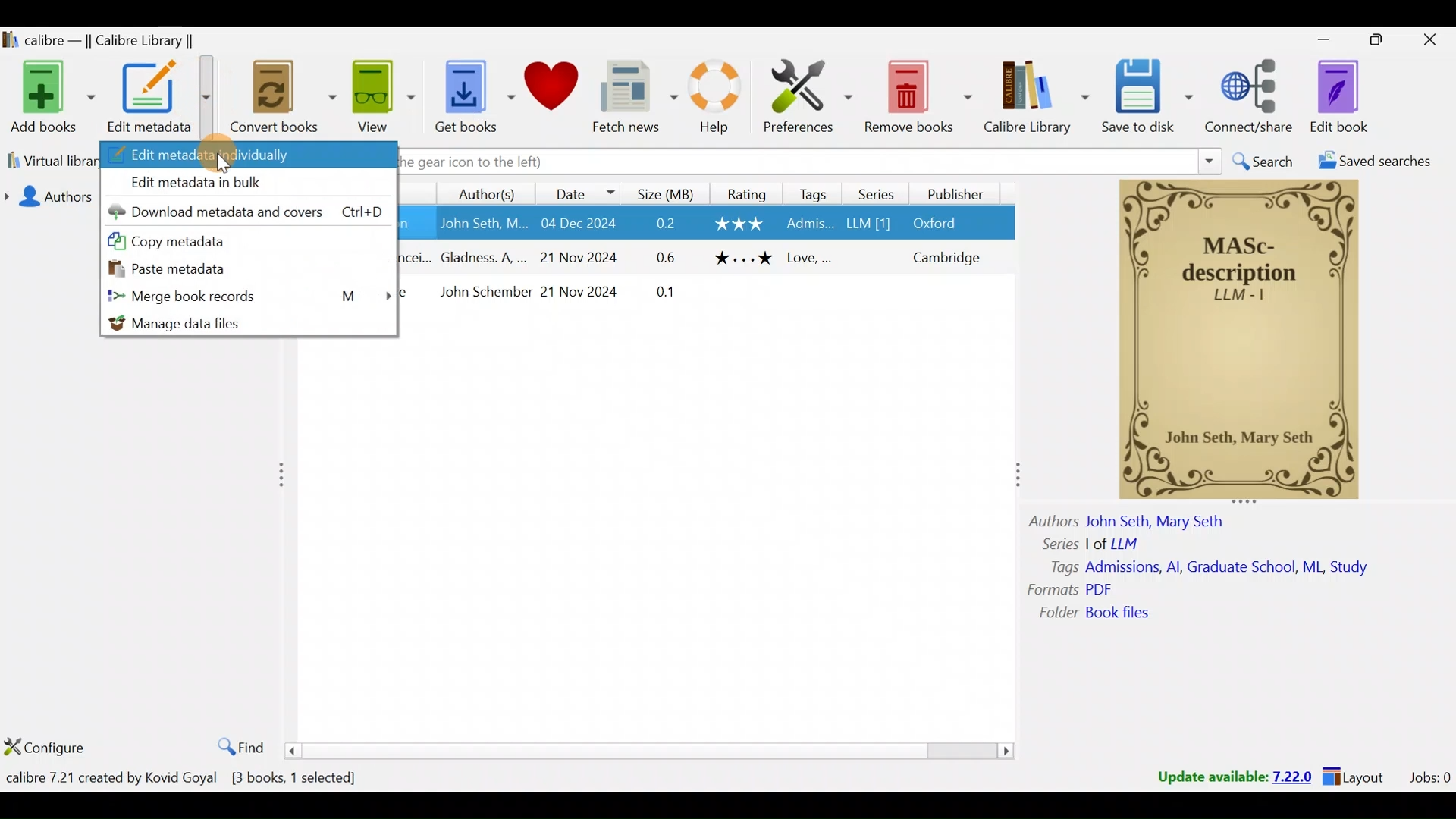  What do you see at coordinates (1354, 96) in the screenshot?
I see `Edit book` at bounding box center [1354, 96].